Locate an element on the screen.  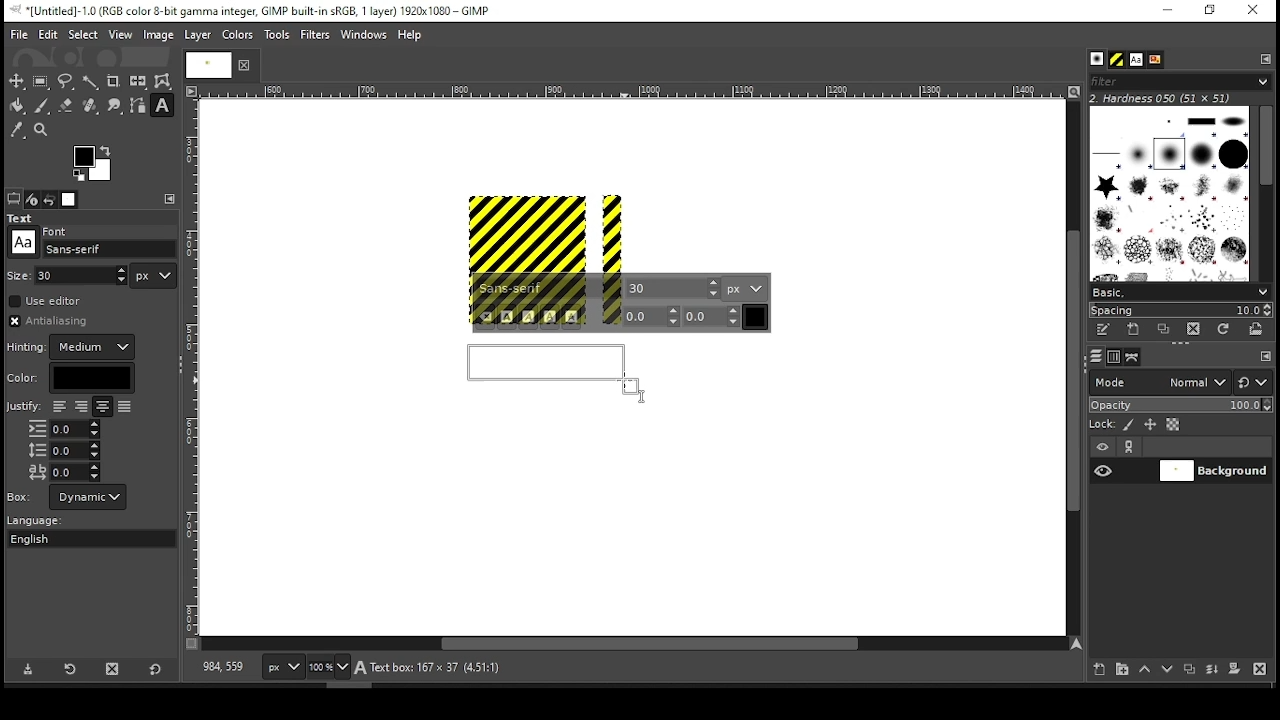
open brush as image is located at coordinates (1257, 329).